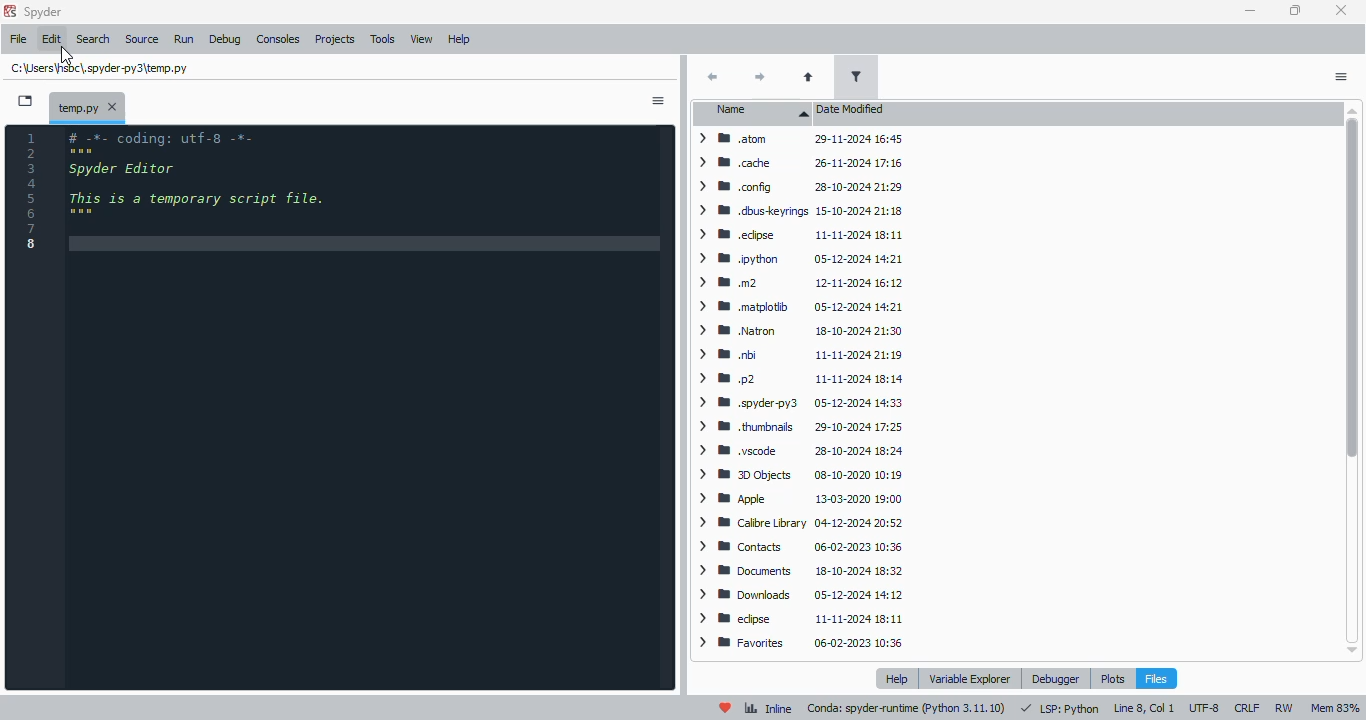 This screenshot has height=720, width=1366. I want to click on spyder, so click(44, 12).